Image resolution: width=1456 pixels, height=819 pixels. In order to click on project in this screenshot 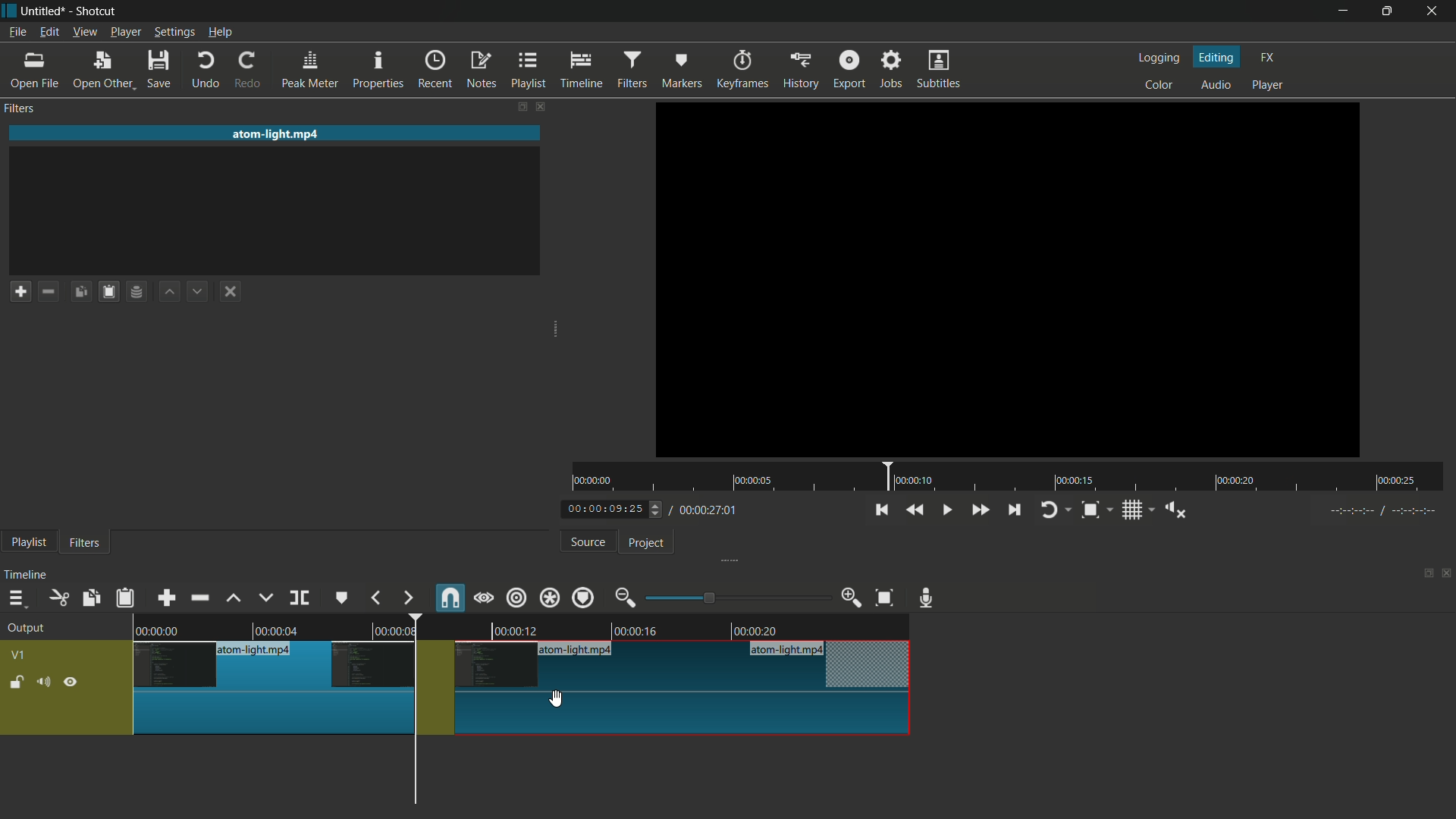, I will do `click(648, 544)`.